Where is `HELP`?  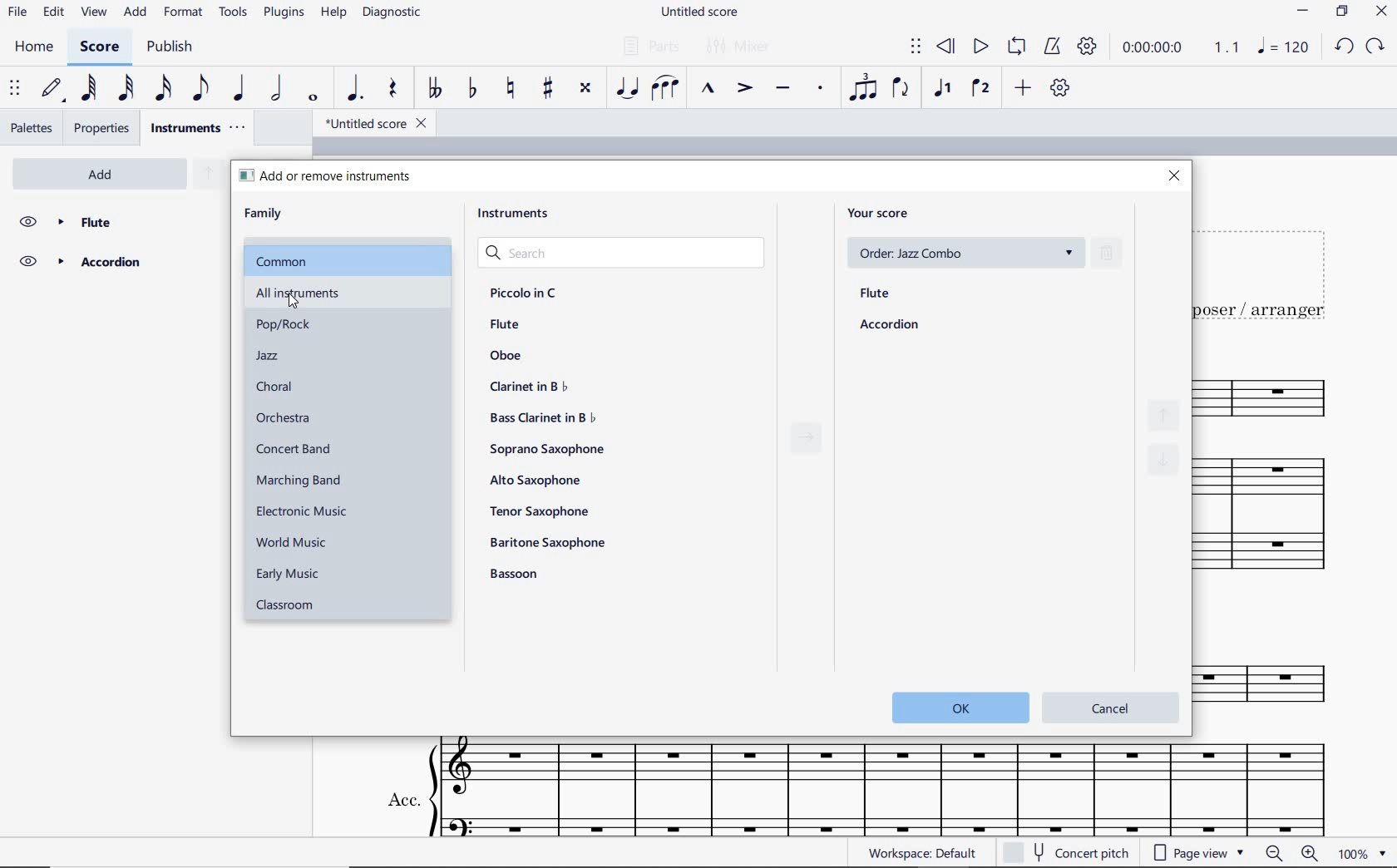 HELP is located at coordinates (334, 13).